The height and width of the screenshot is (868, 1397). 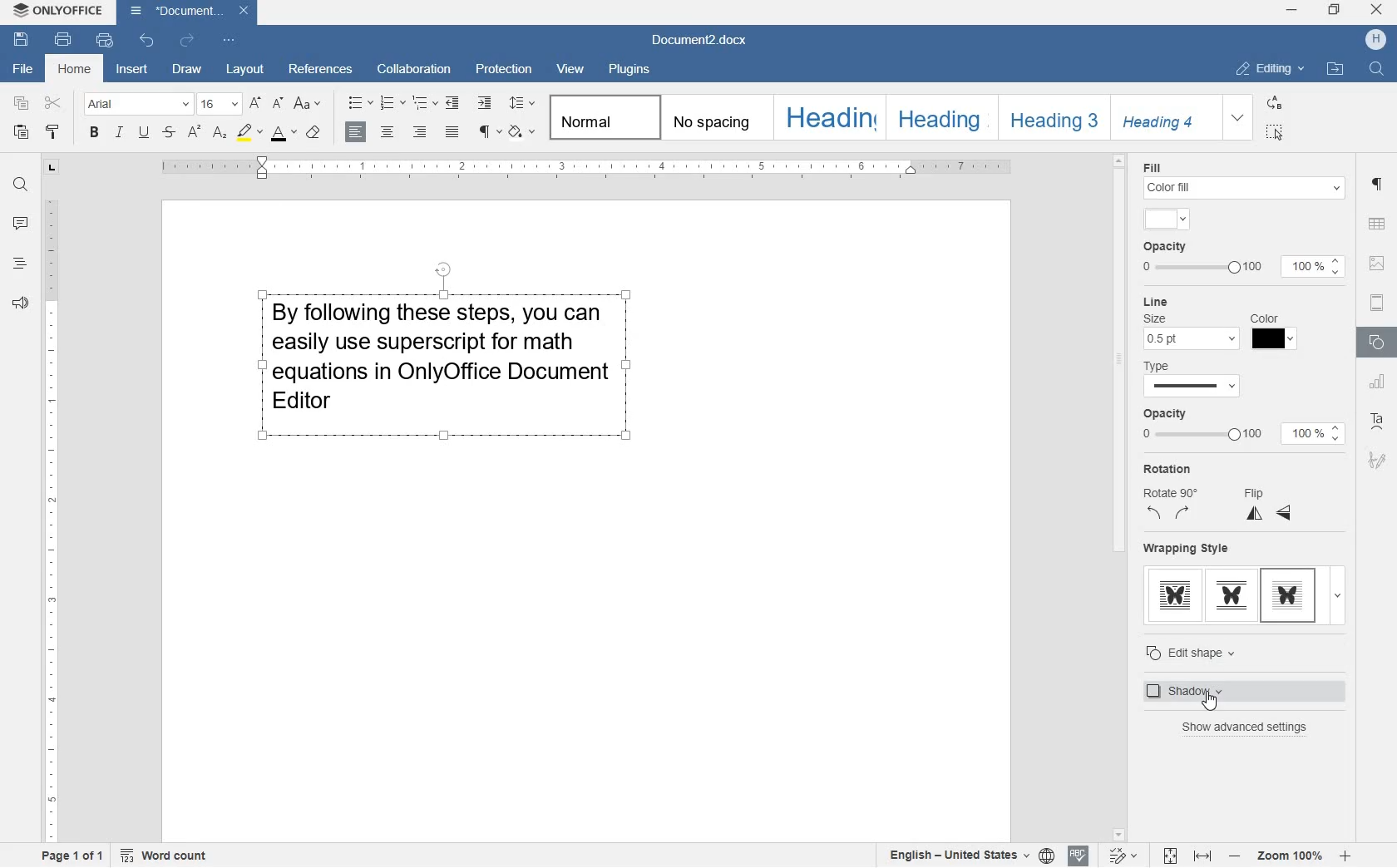 What do you see at coordinates (245, 70) in the screenshot?
I see `layout` at bounding box center [245, 70].